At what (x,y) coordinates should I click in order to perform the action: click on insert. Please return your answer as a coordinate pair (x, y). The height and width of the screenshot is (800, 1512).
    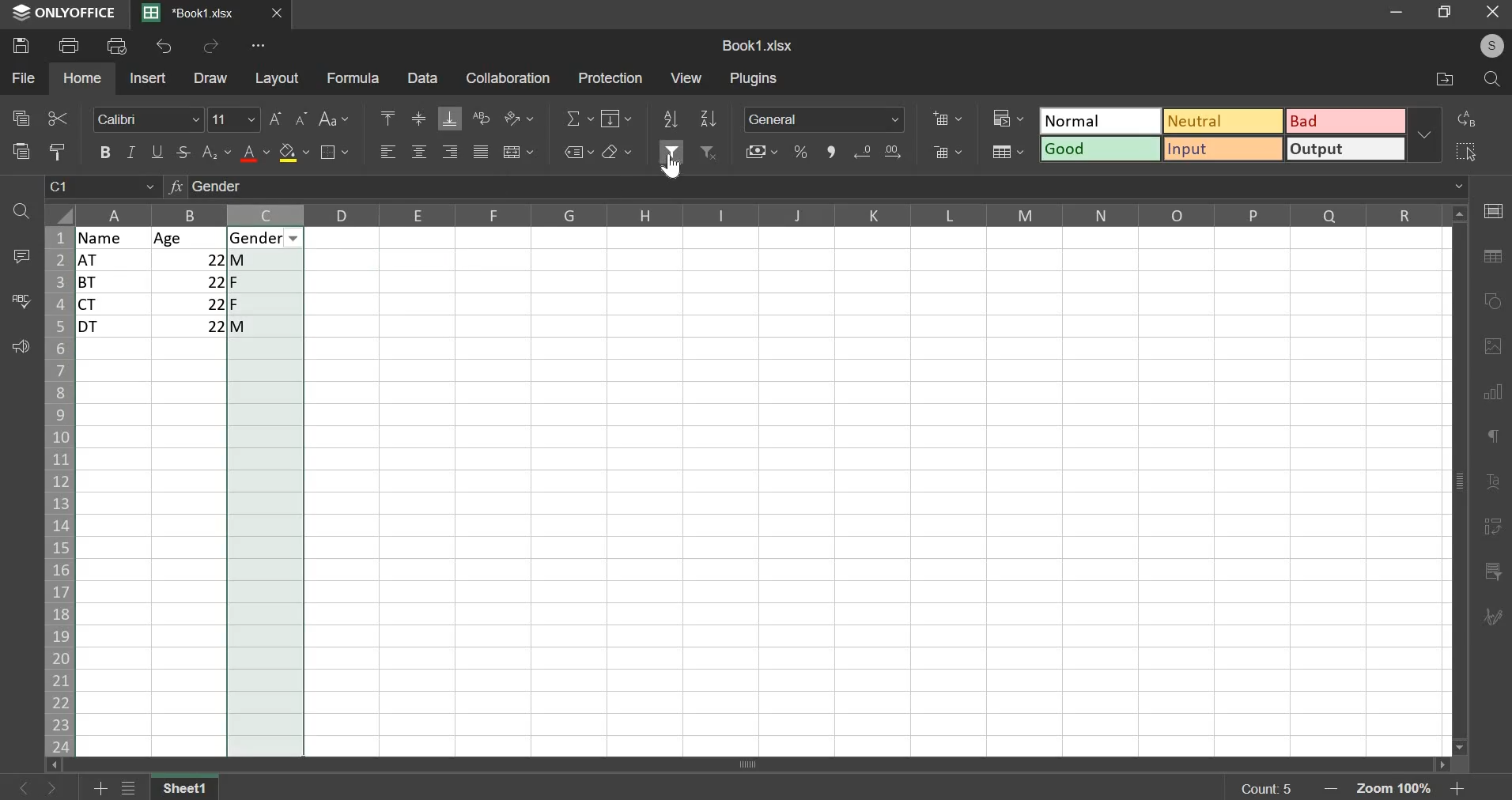
    Looking at the image, I should click on (148, 77).